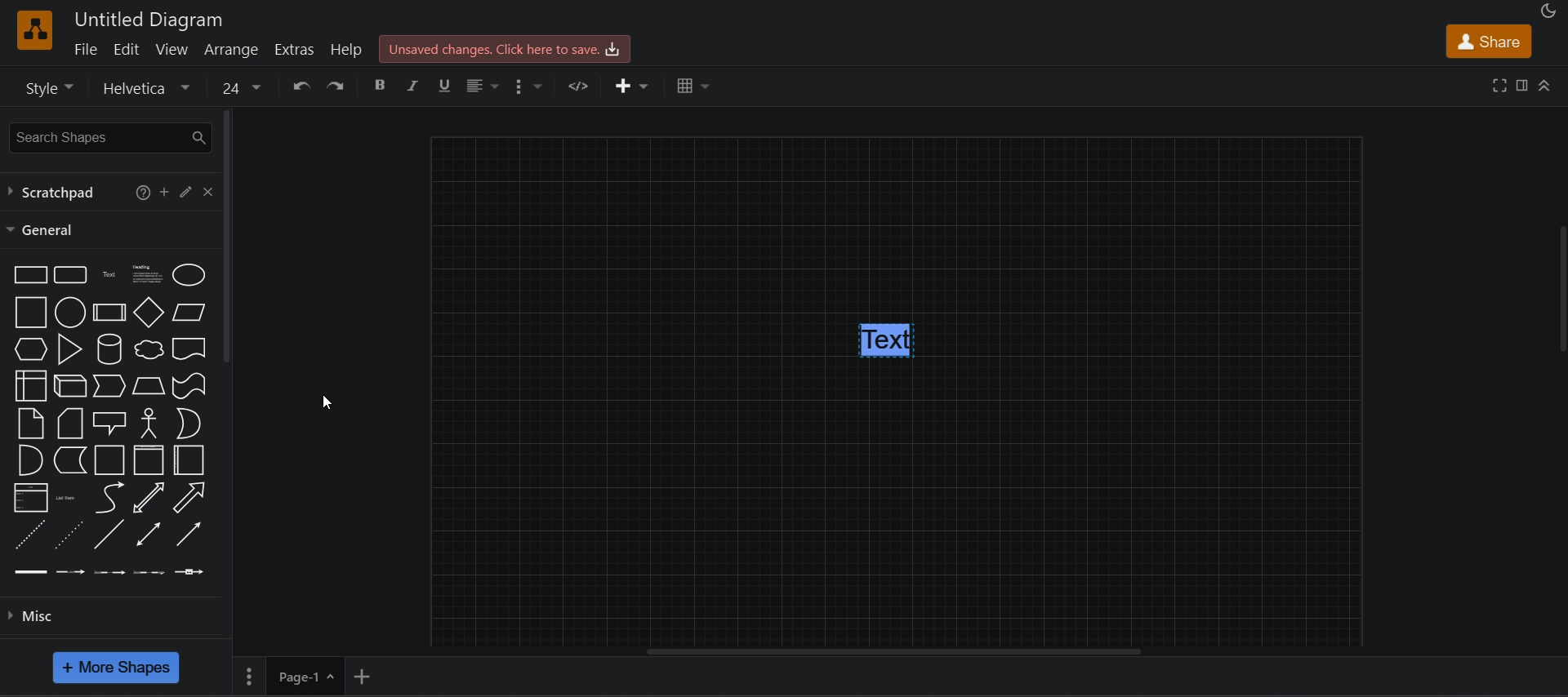 This screenshot has width=1568, height=697. Describe the element at coordinates (189, 572) in the screenshot. I see `Connector with symbol` at that location.